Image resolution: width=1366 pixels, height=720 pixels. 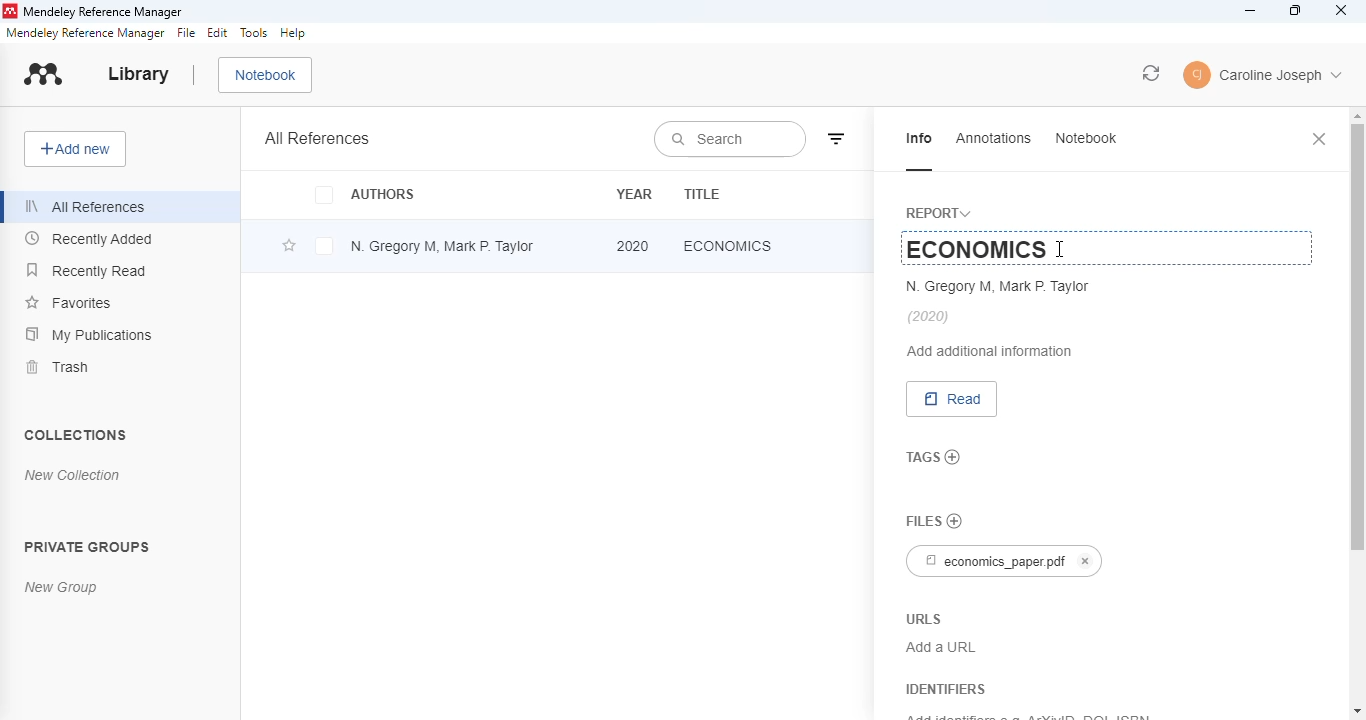 What do you see at coordinates (633, 246) in the screenshot?
I see `2020` at bounding box center [633, 246].